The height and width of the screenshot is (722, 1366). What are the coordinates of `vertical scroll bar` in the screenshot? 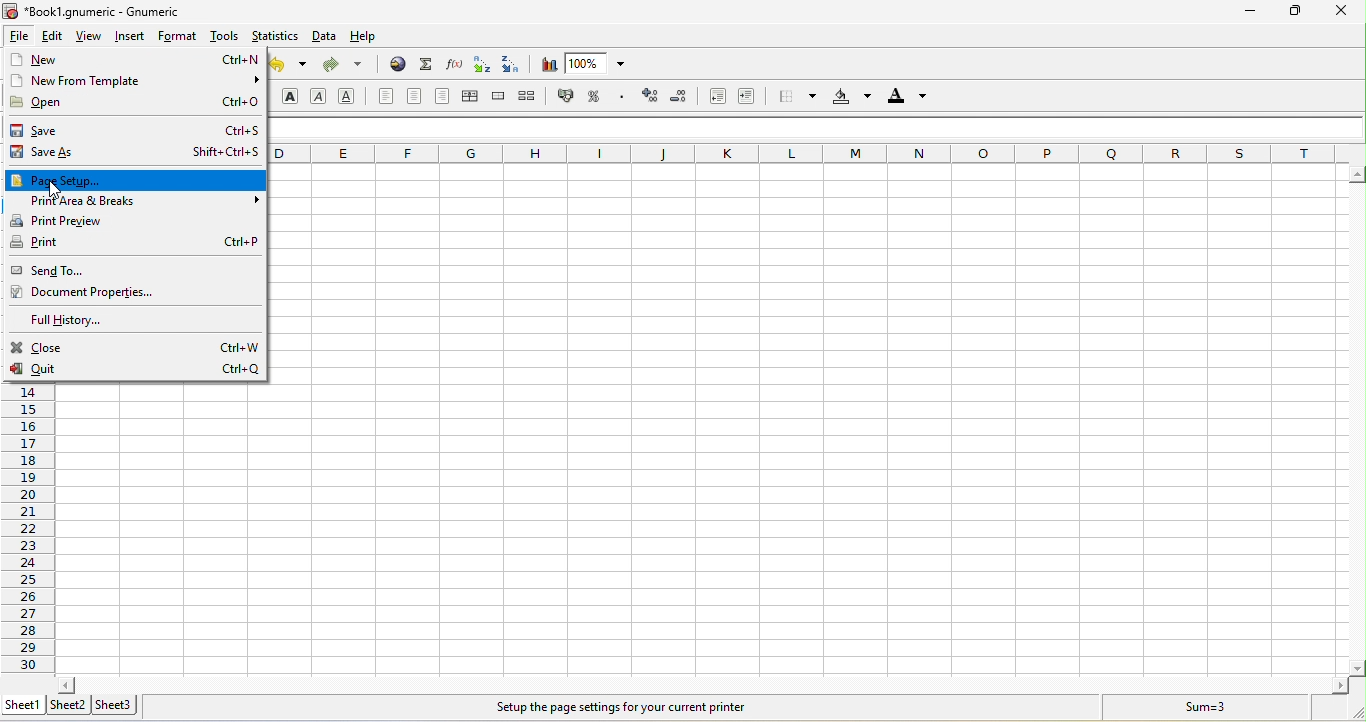 It's located at (1357, 421).